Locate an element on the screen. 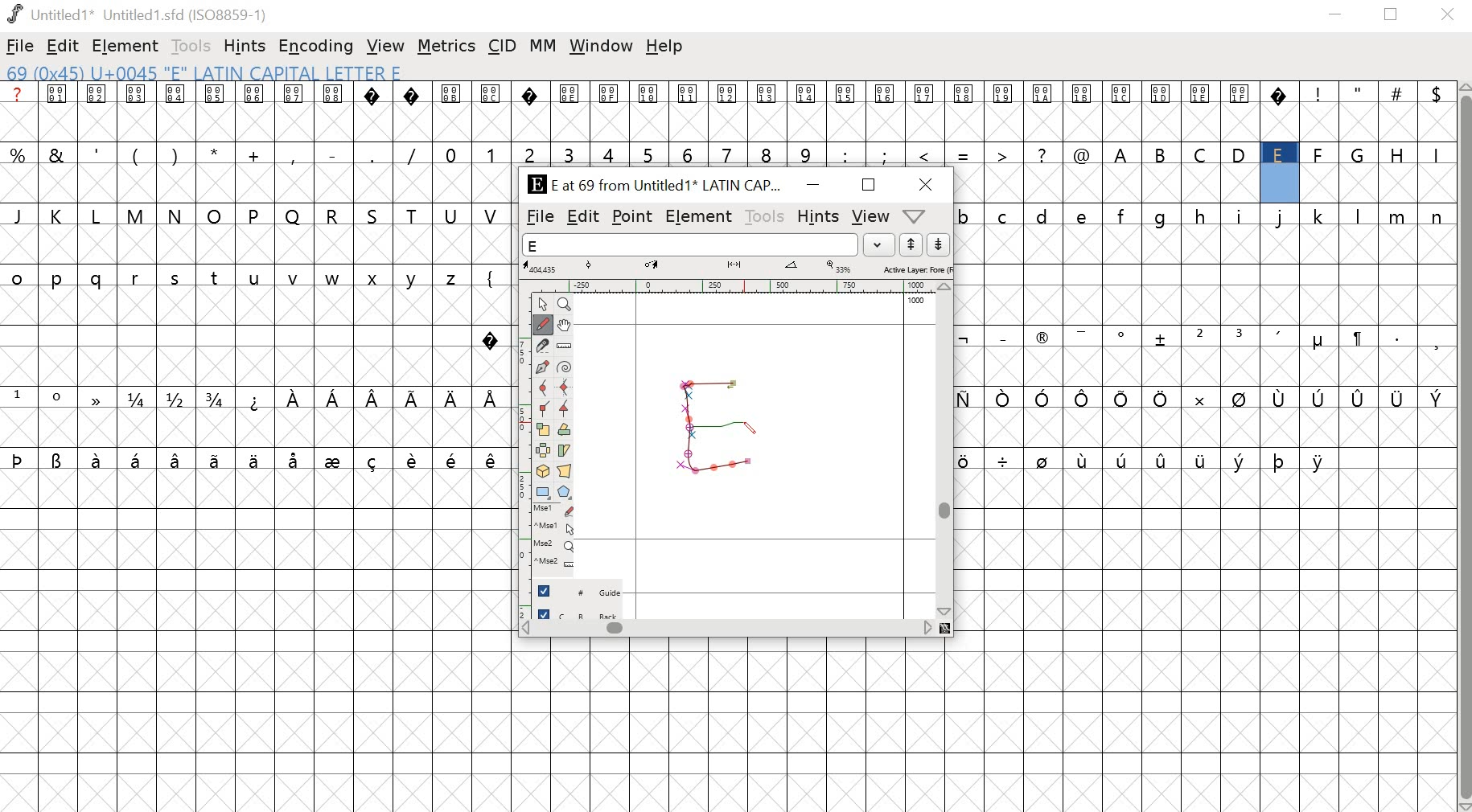 This screenshot has height=812, width=1472. Mouse left button is located at coordinates (553, 511).